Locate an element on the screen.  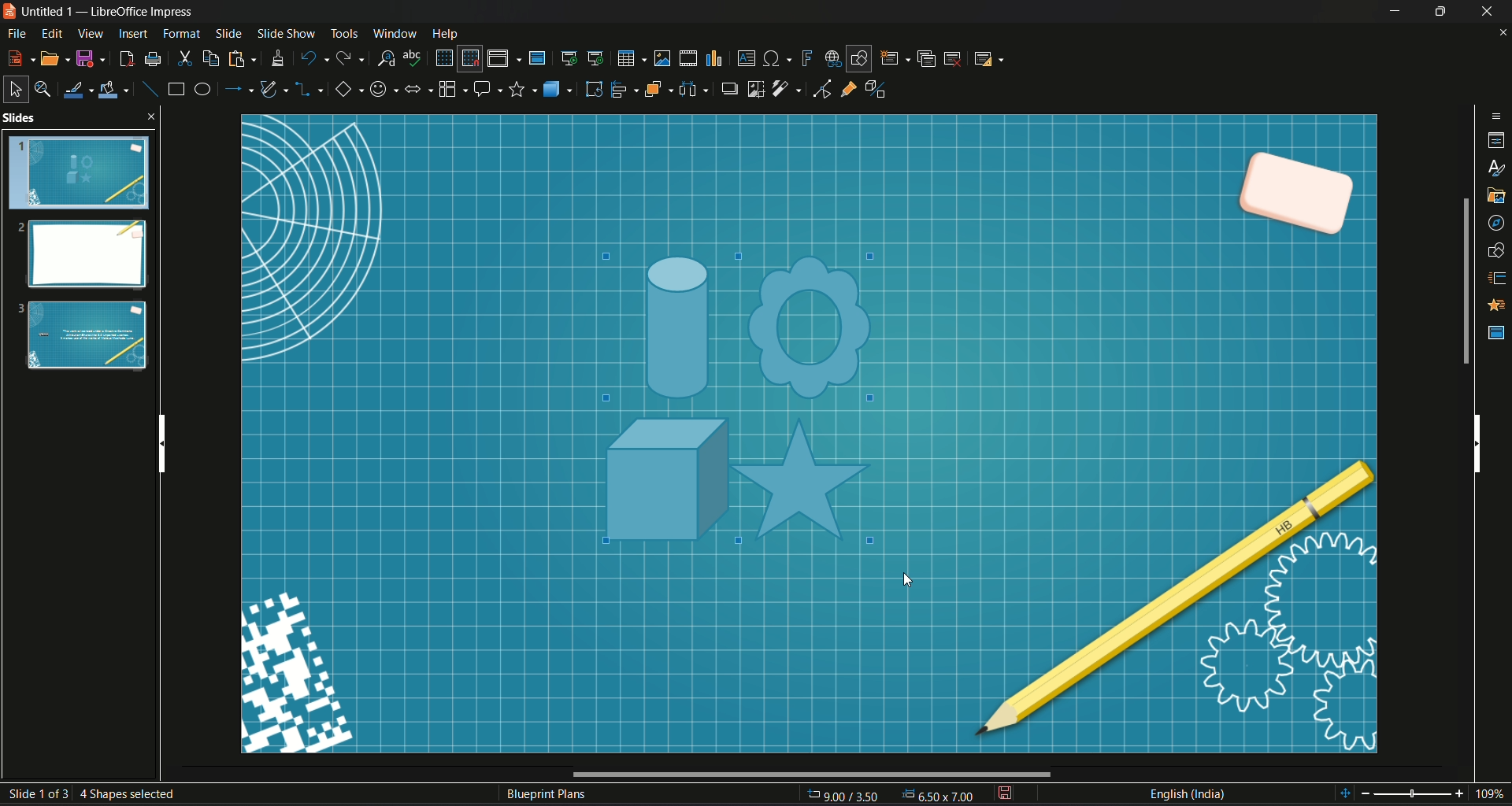
basic shape is located at coordinates (347, 91).